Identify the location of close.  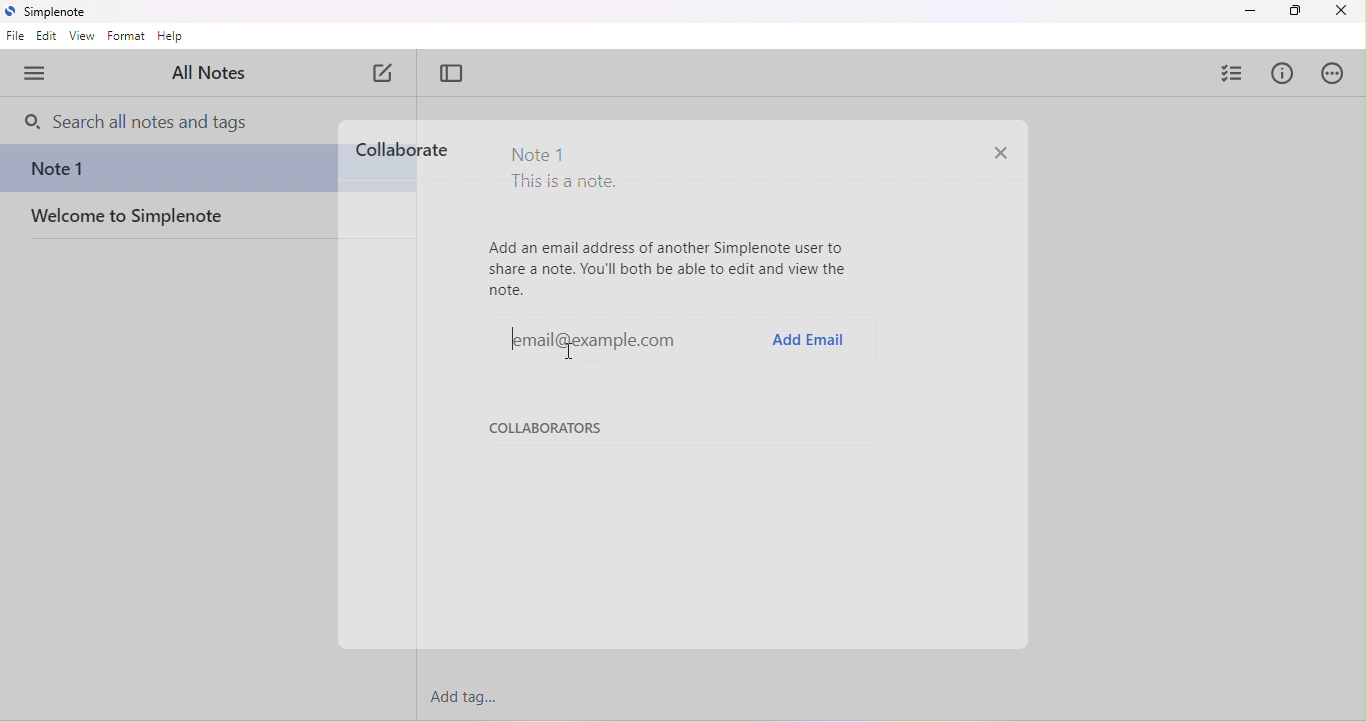
(1340, 12).